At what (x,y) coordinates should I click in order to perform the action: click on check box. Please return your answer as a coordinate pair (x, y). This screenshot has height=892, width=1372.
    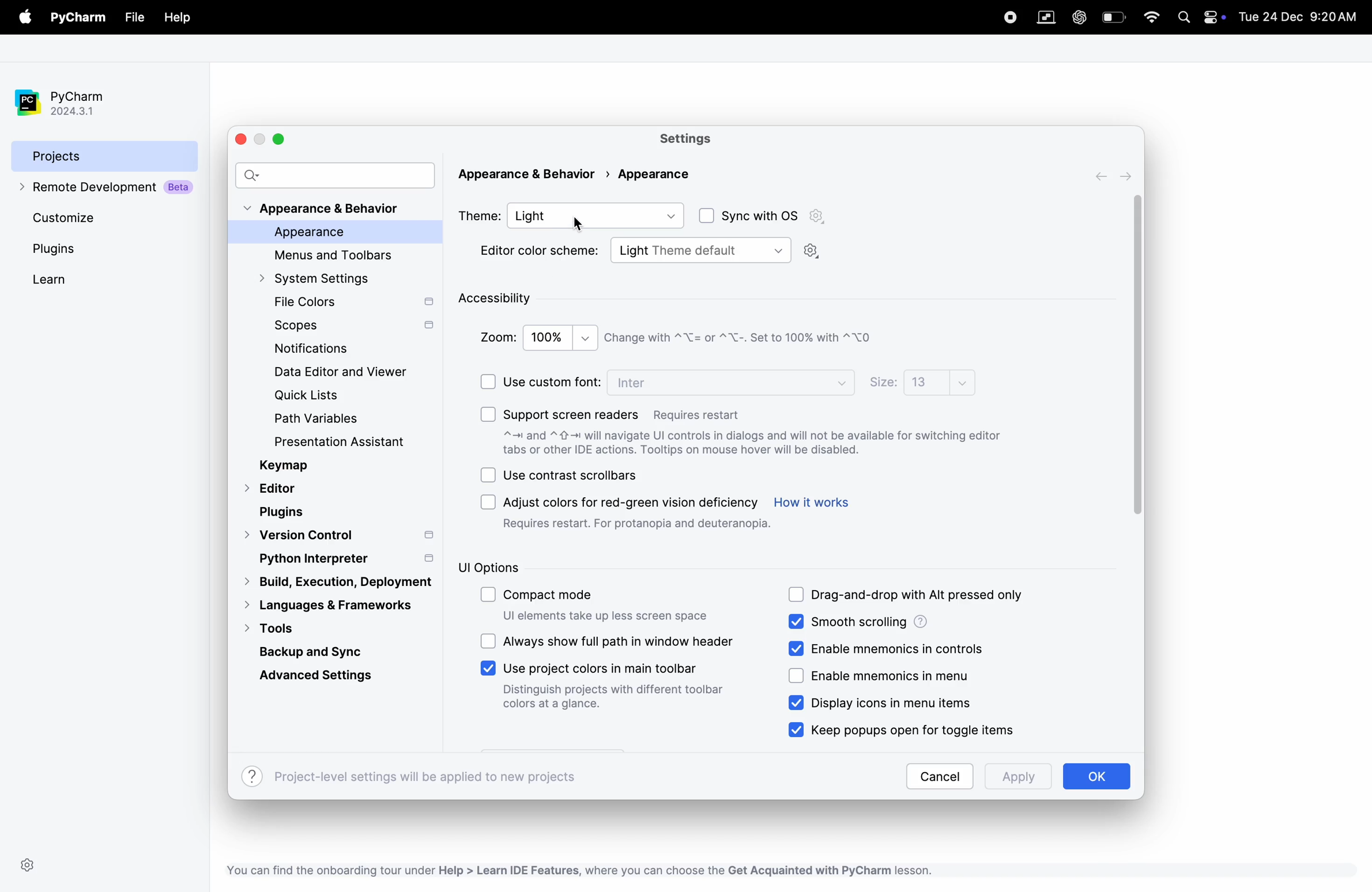
    Looking at the image, I should click on (704, 216).